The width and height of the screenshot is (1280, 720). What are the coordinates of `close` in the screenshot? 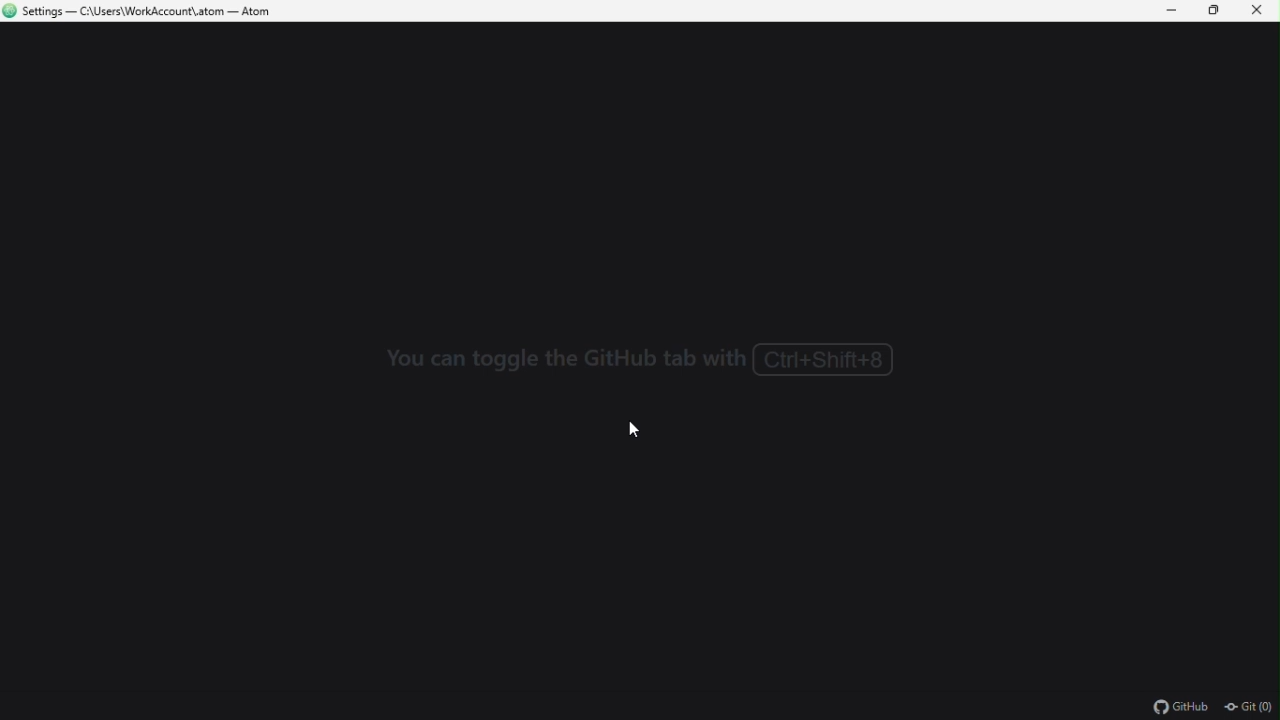 It's located at (1263, 12).